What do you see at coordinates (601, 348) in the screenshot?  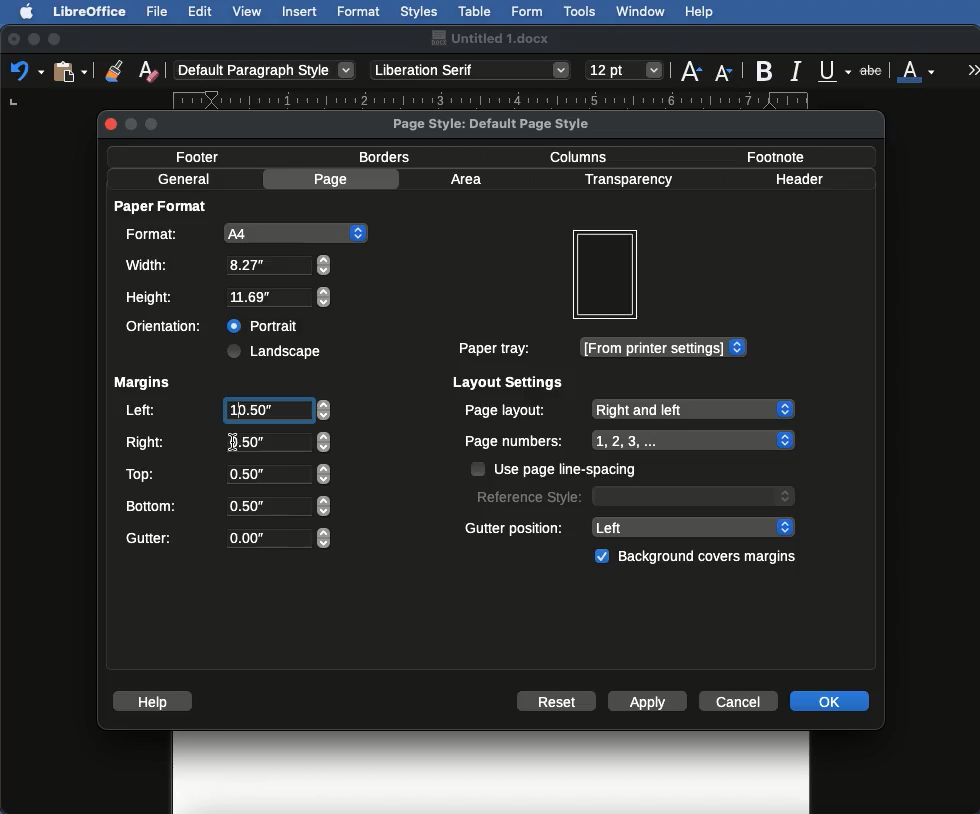 I see `Paper tray` at bounding box center [601, 348].